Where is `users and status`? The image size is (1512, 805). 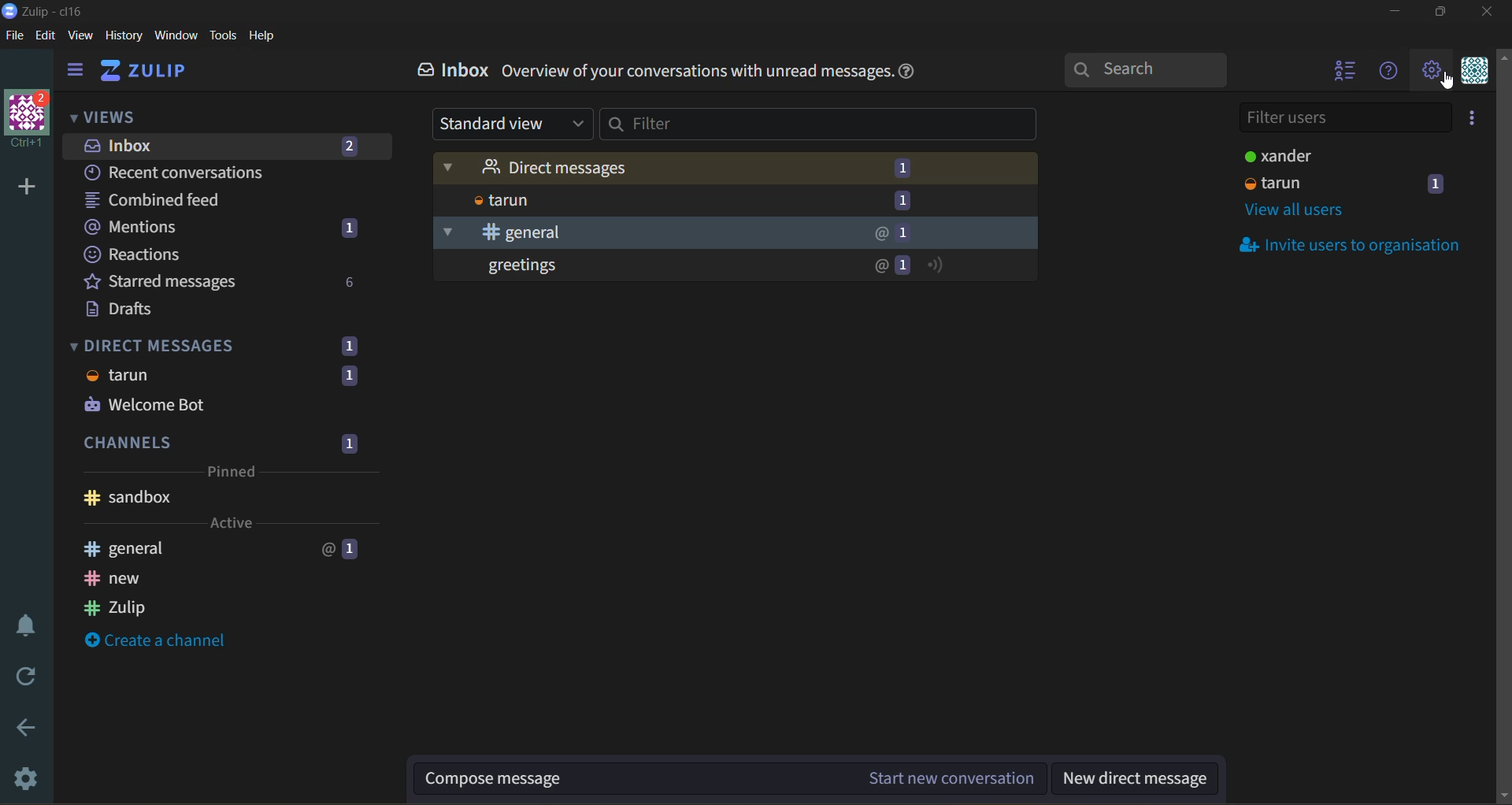 users and status is located at coordinates (1350, 183).